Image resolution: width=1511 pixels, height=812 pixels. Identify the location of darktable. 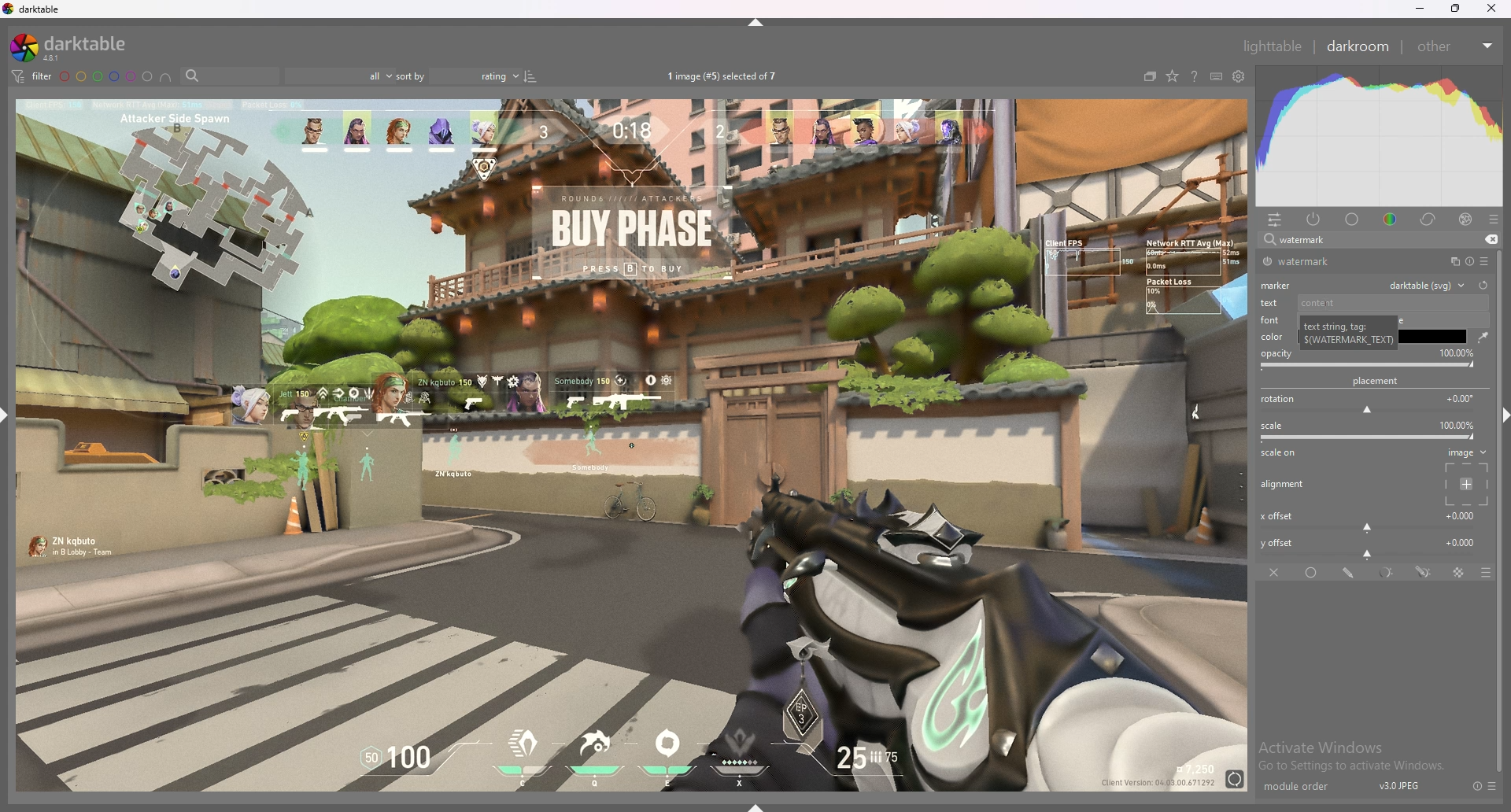
(75, 47).